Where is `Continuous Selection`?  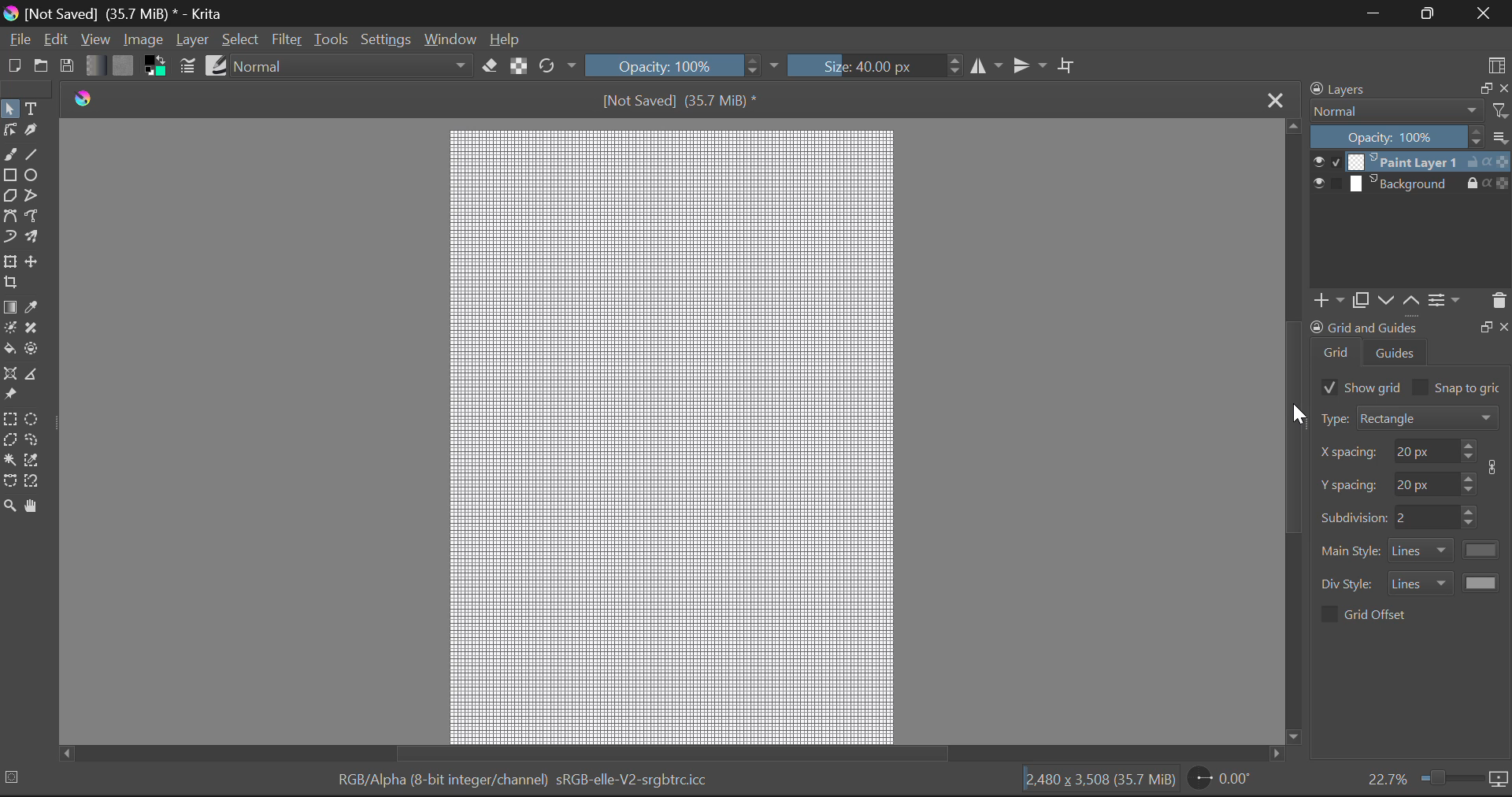 Continuous Selection is located at coordinates (9, 460).